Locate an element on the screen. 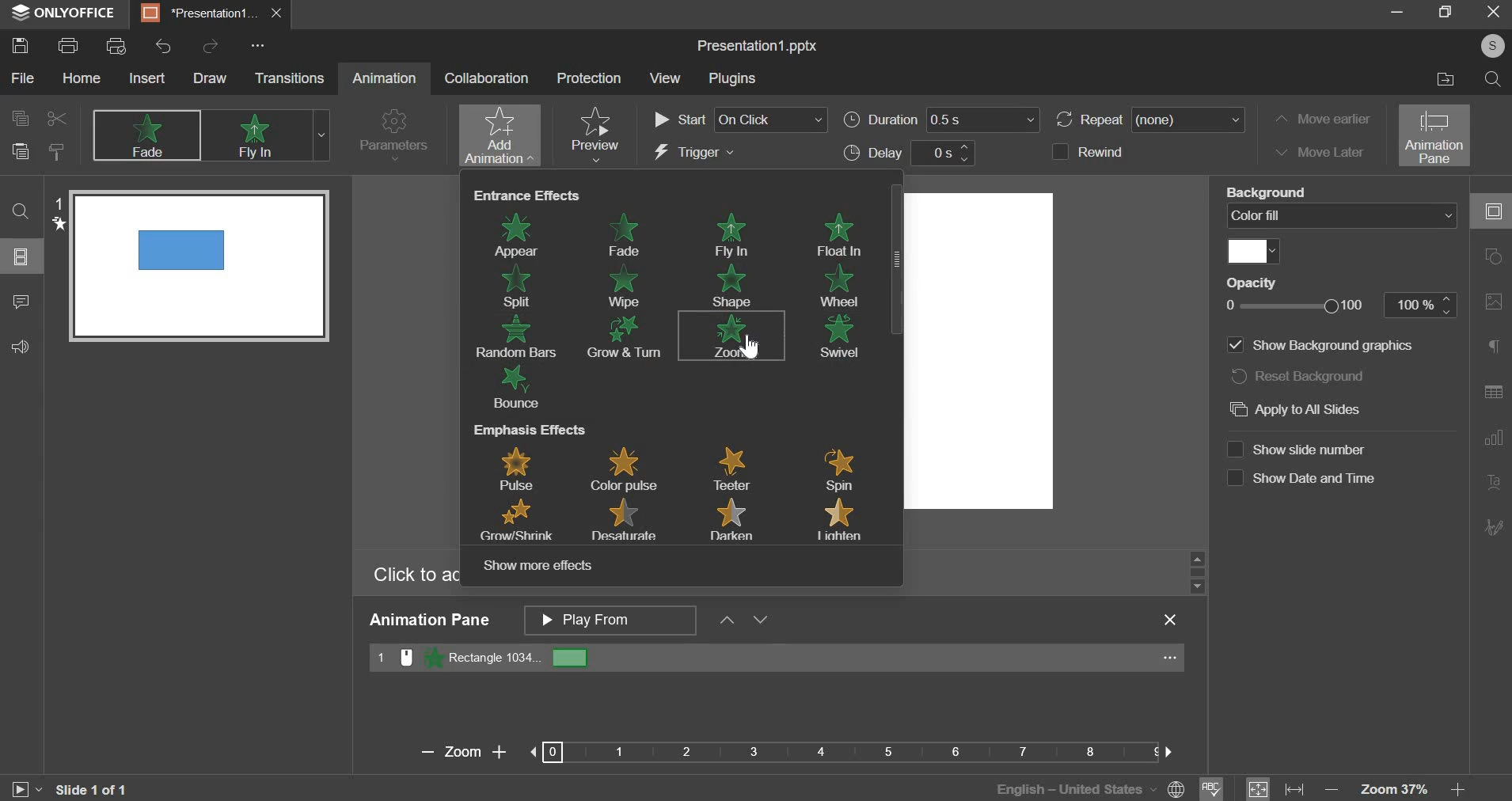  More Options is located at coordinates (1493, 526).